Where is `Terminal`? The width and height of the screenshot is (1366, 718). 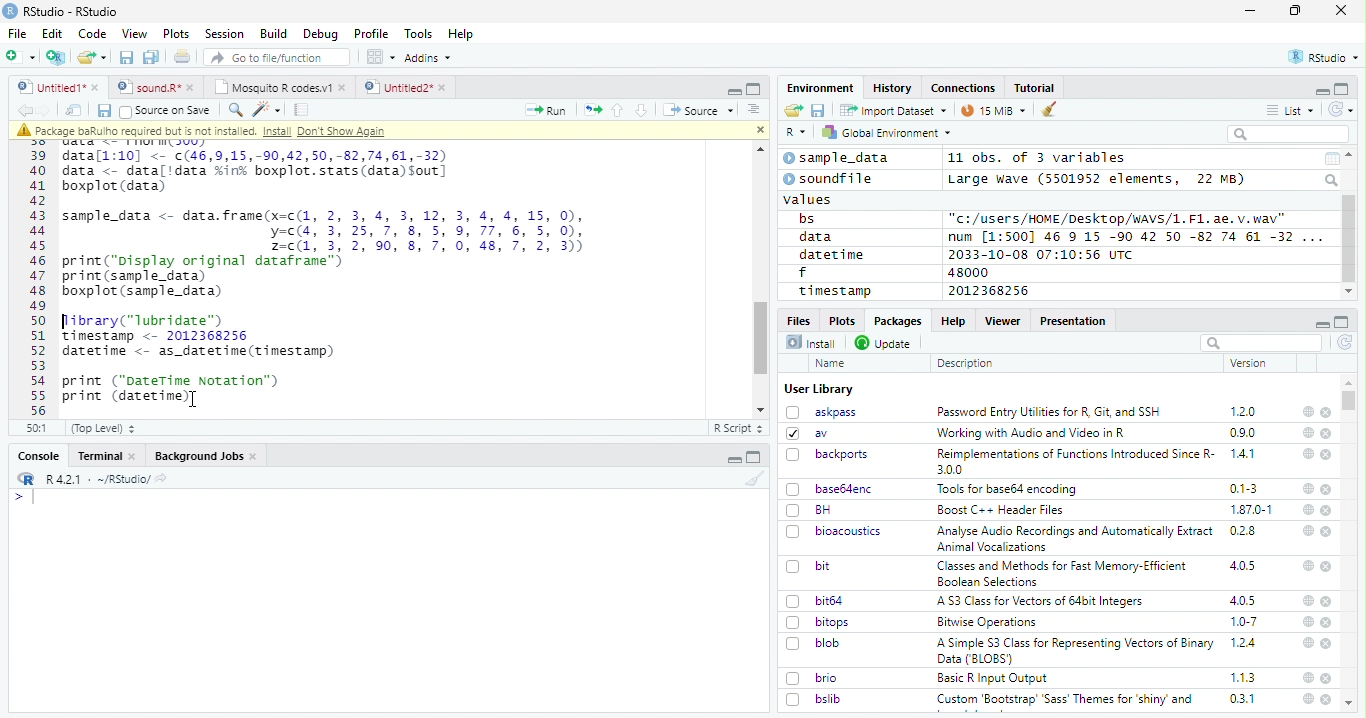 Terminal is located at coordinates (106, 456).